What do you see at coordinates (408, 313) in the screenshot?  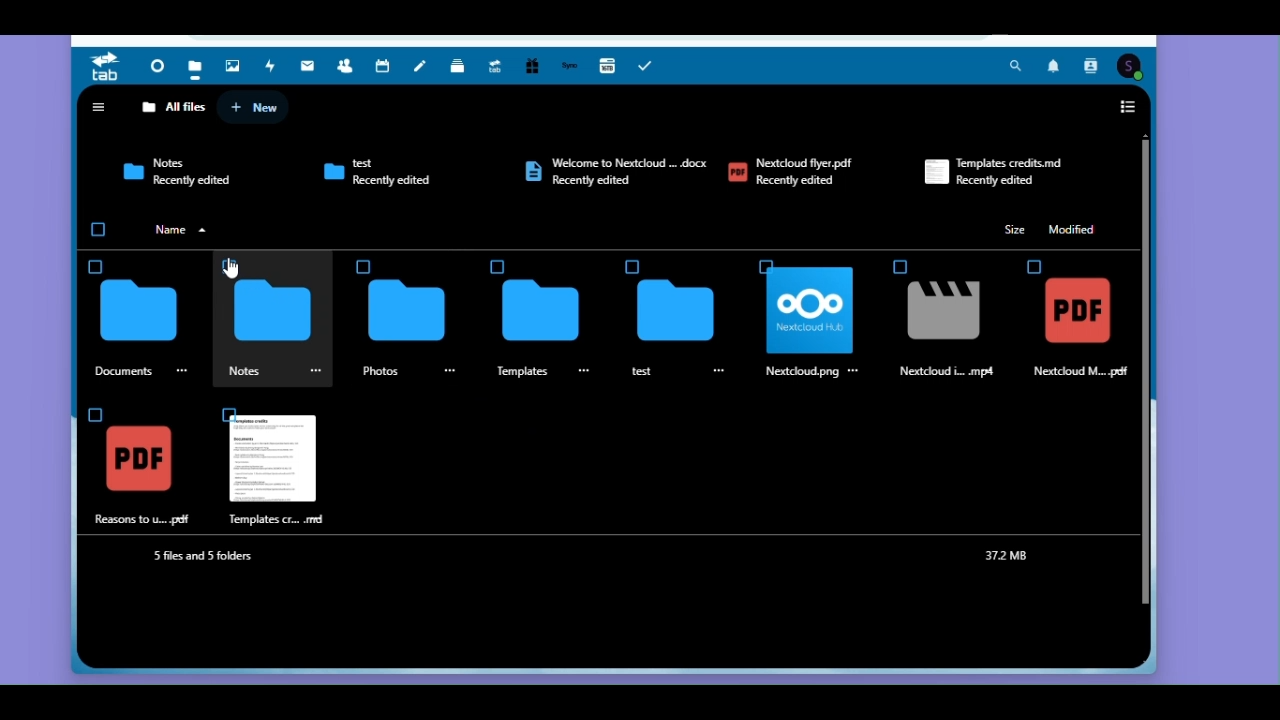 I see `Icon` at bounding box center [408, 313].